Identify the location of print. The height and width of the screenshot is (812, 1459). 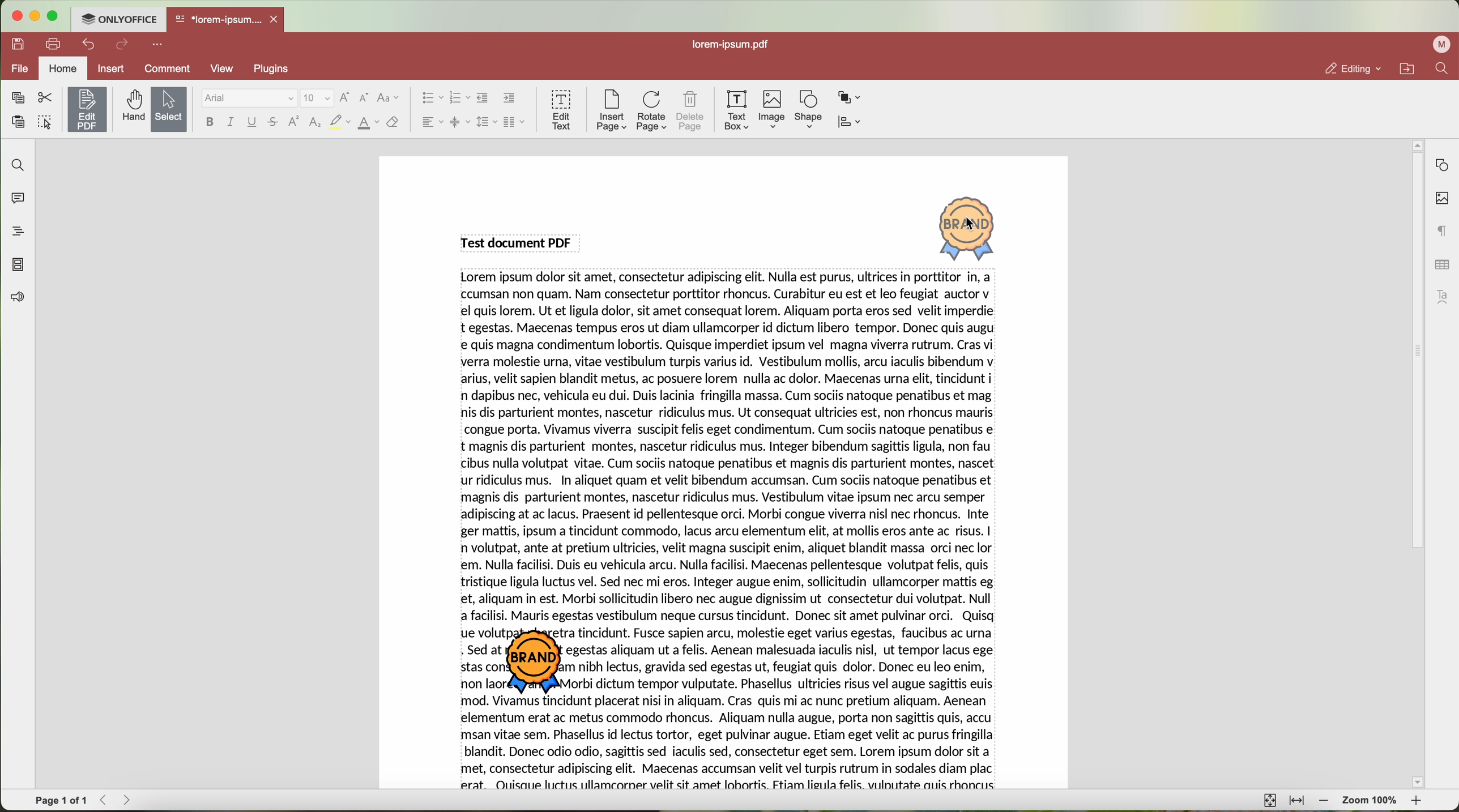
(54, 43).